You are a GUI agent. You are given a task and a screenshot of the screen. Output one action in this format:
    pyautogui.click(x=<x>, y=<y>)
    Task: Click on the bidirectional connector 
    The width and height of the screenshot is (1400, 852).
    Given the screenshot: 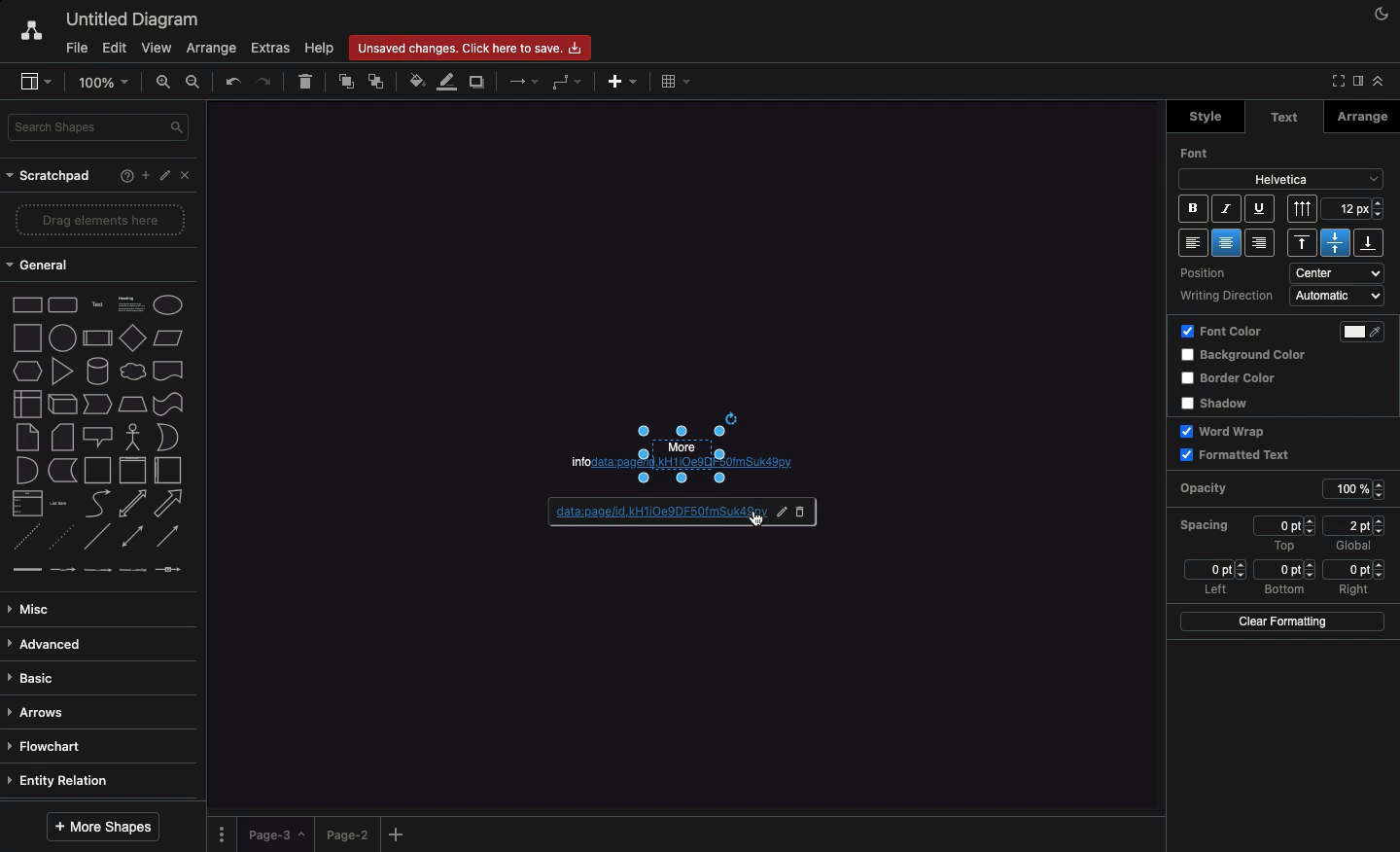 What is the action you would take?
    pyautogui.click(x=131, y=536)
    